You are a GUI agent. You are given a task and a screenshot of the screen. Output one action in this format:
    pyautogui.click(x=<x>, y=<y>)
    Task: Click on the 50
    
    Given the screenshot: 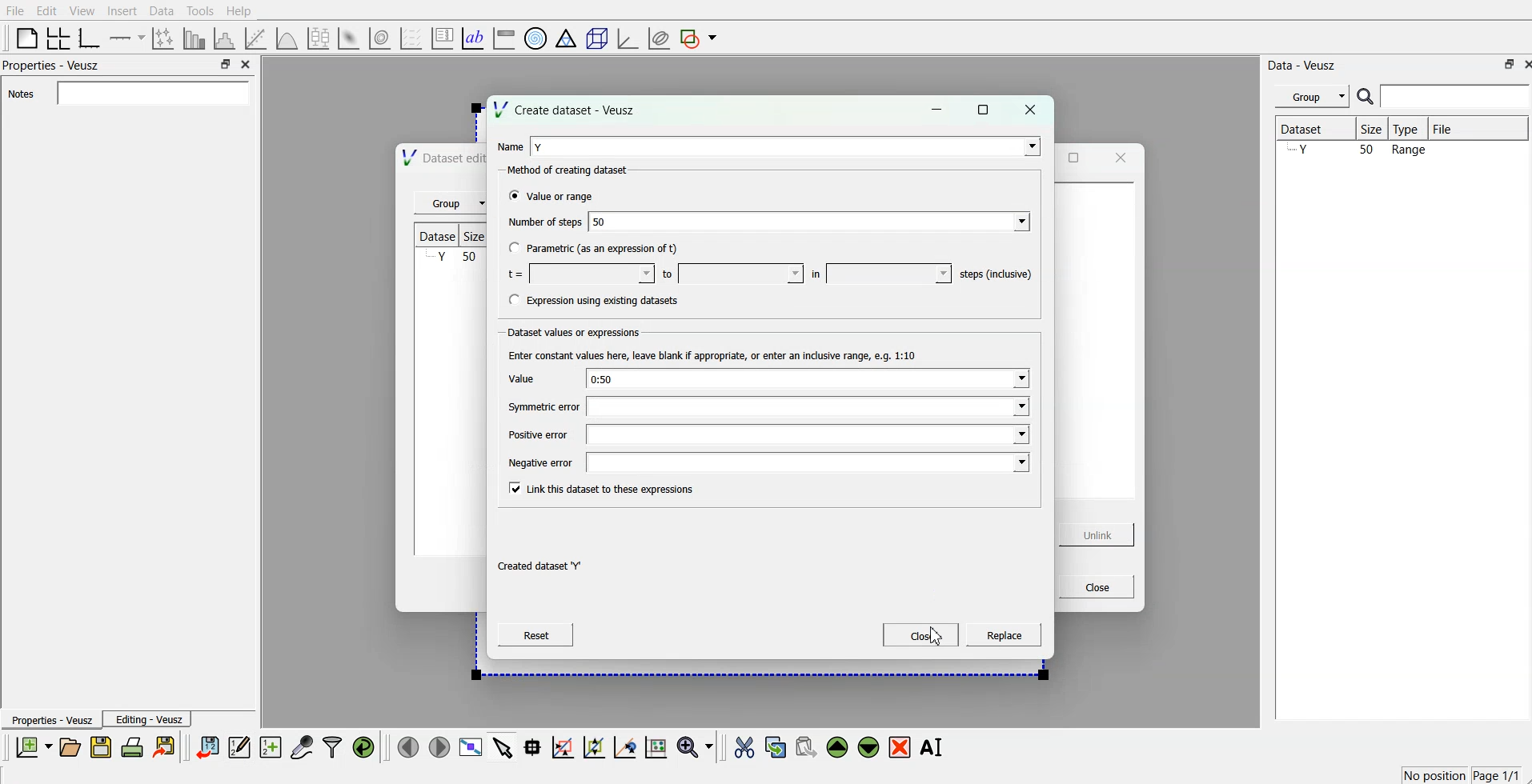 What is the action you would take?
    pyautogui.click(x=810, y=222)
    